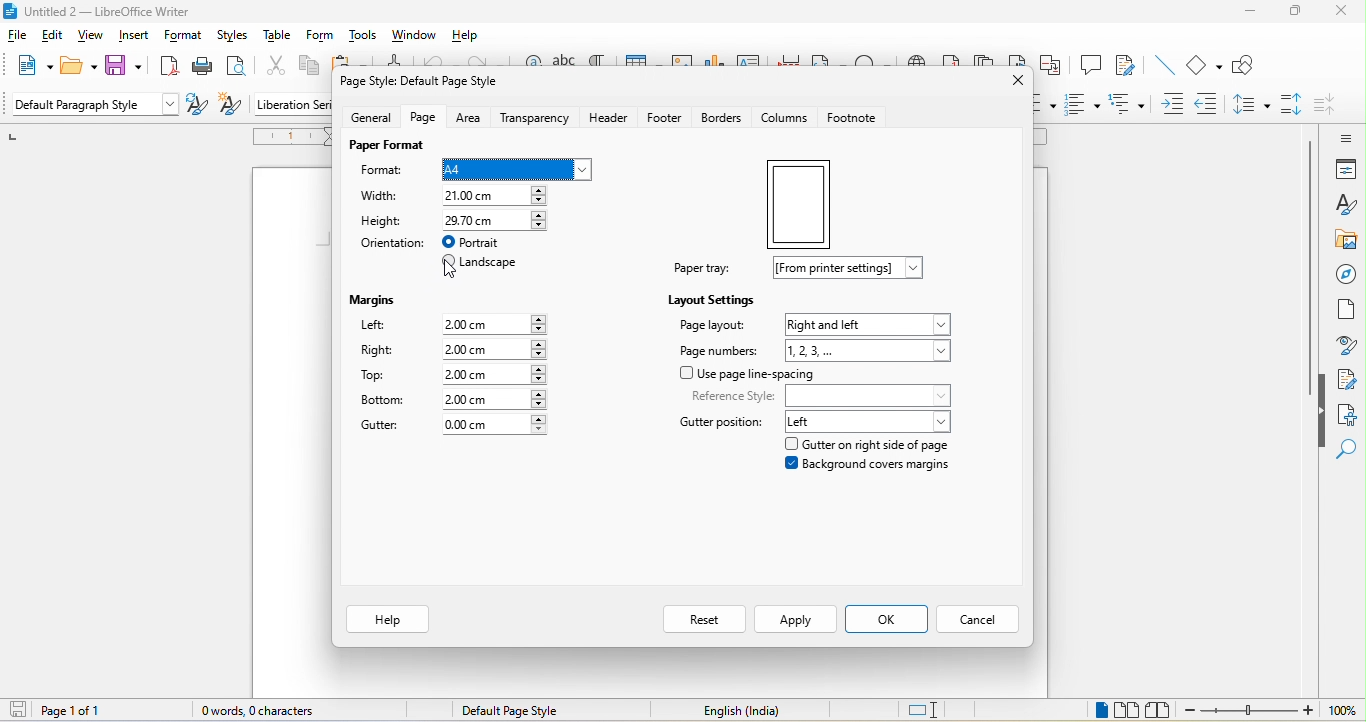 Image resolution: width=1366 pixels, height=722 pixels. What do you see at coordinates (537, 118) in the screenshot?
I see `transperency` at bounding box center [537, 118].